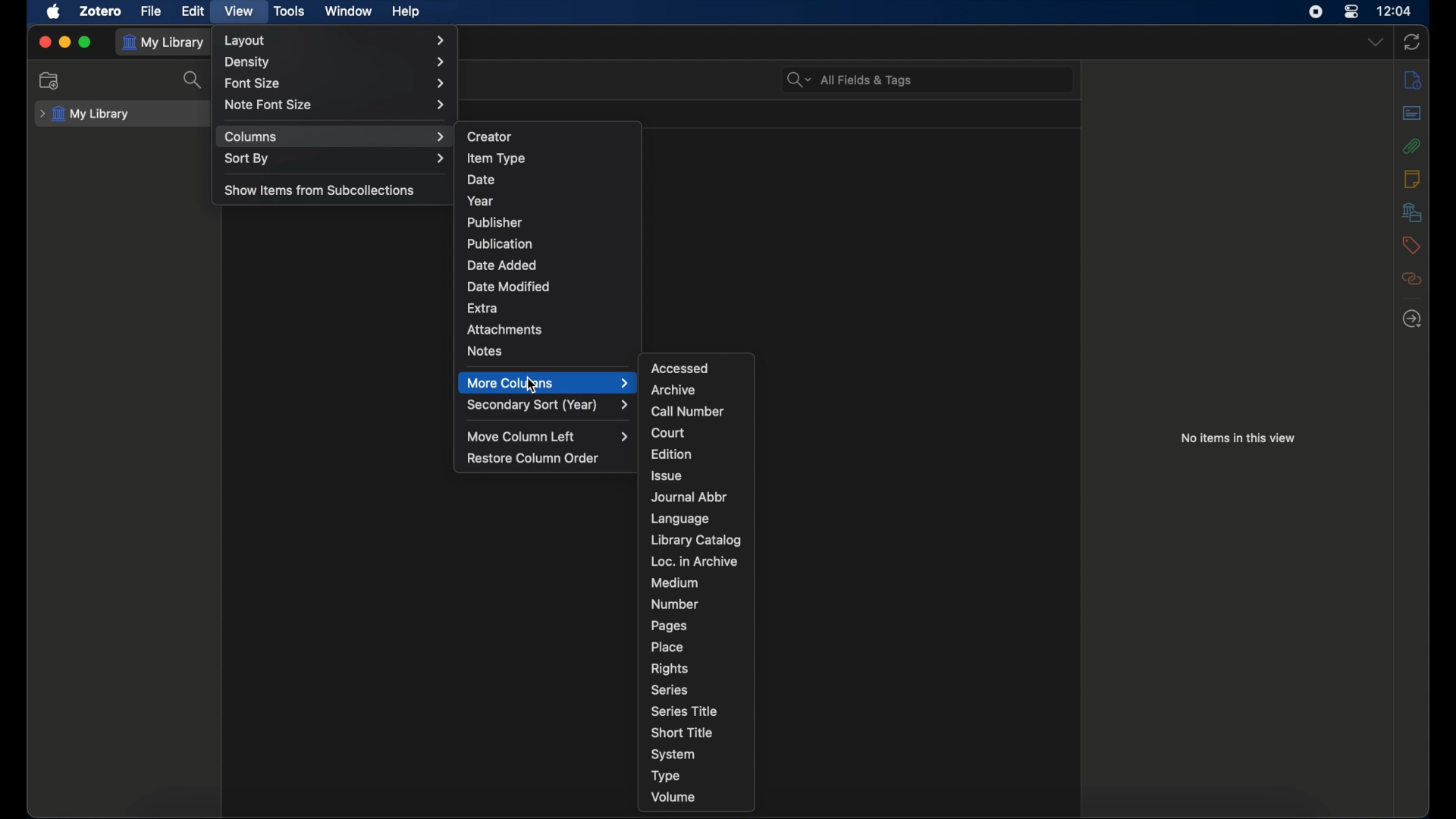 The height and width of the screenshot is (819, 1456). I want to click on language, so click(682, 519).